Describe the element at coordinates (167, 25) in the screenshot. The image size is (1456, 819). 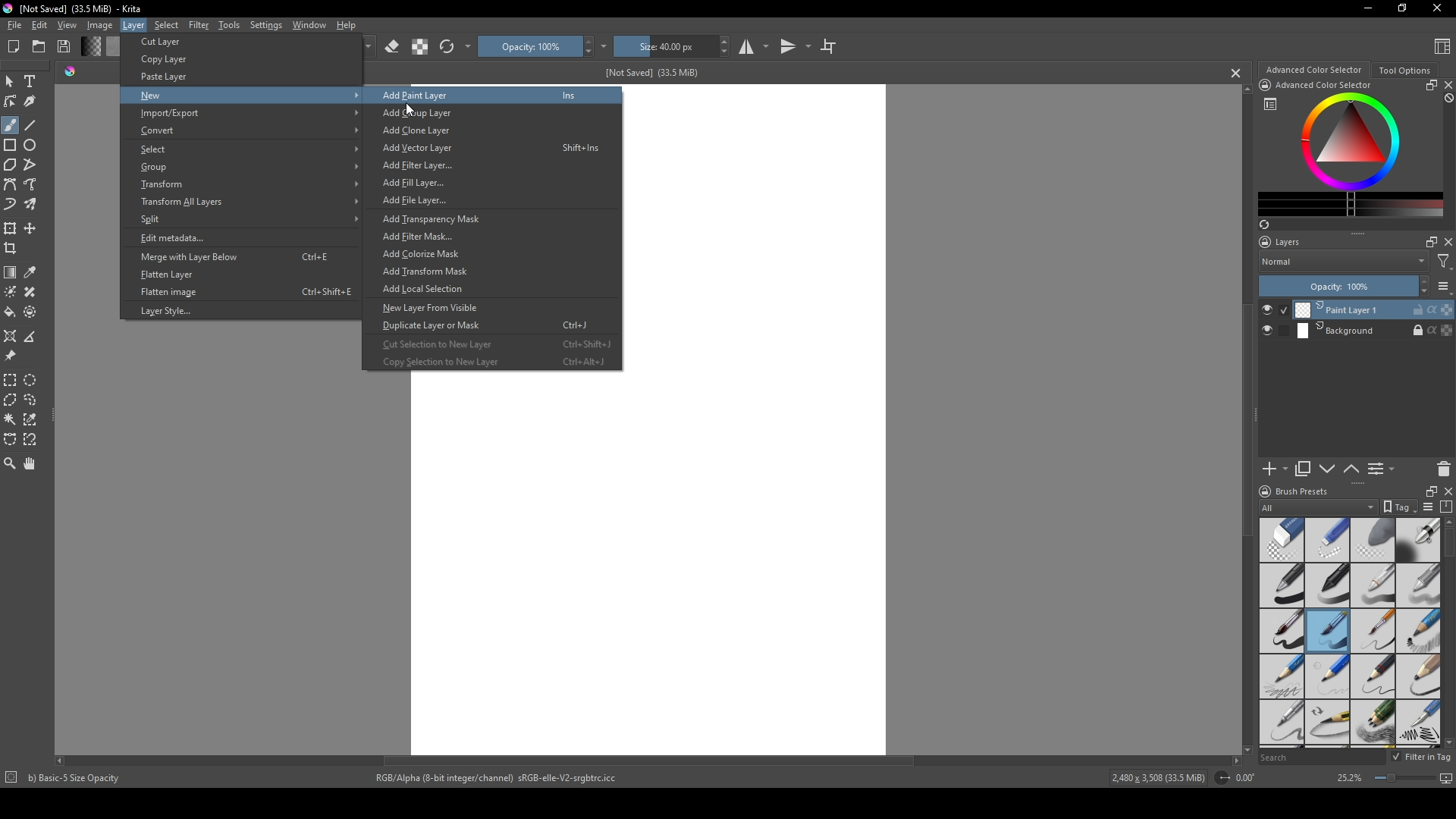
I see `Select` at that location.